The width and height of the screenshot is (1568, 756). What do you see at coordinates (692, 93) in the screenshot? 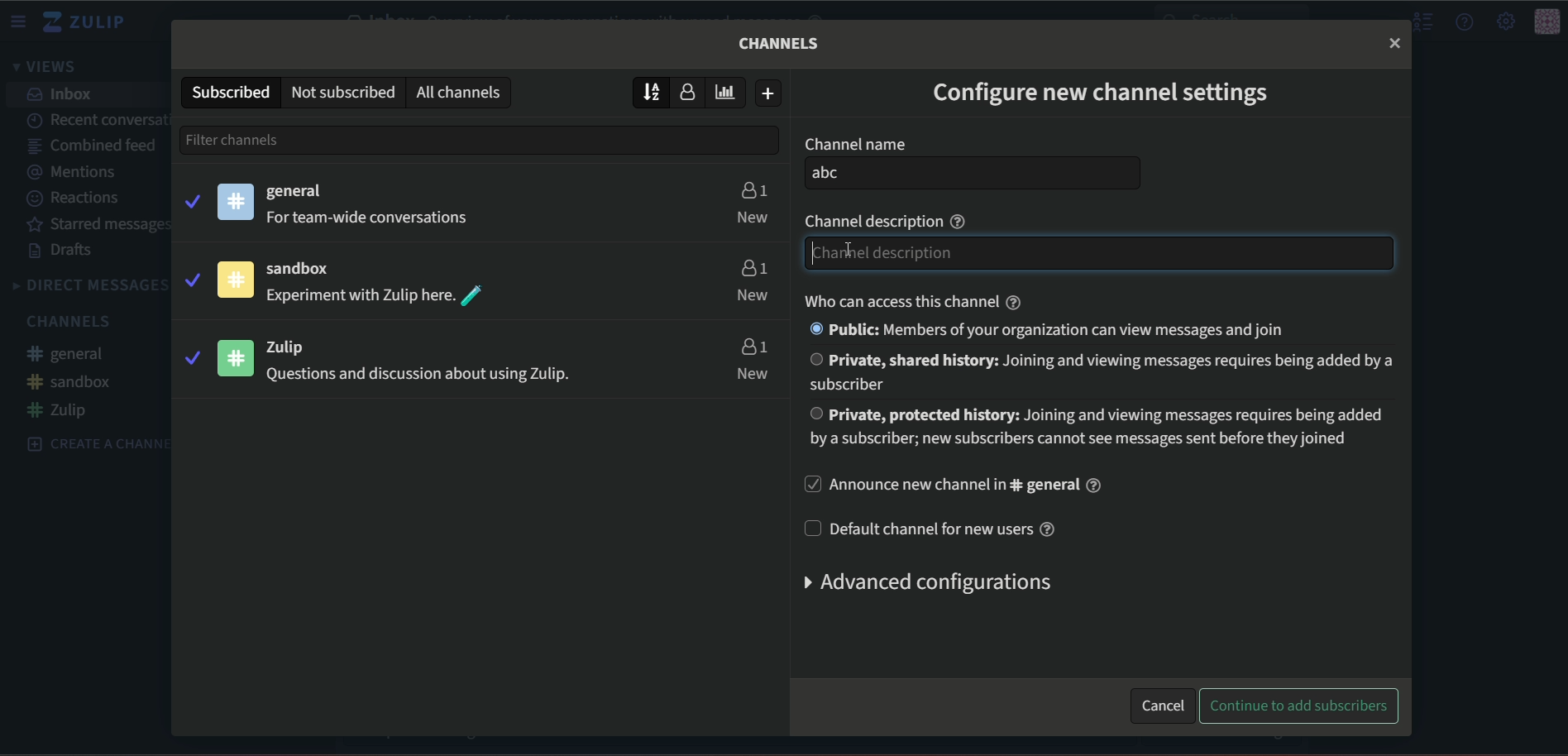
I see `user` at bounding box center [692, 93].